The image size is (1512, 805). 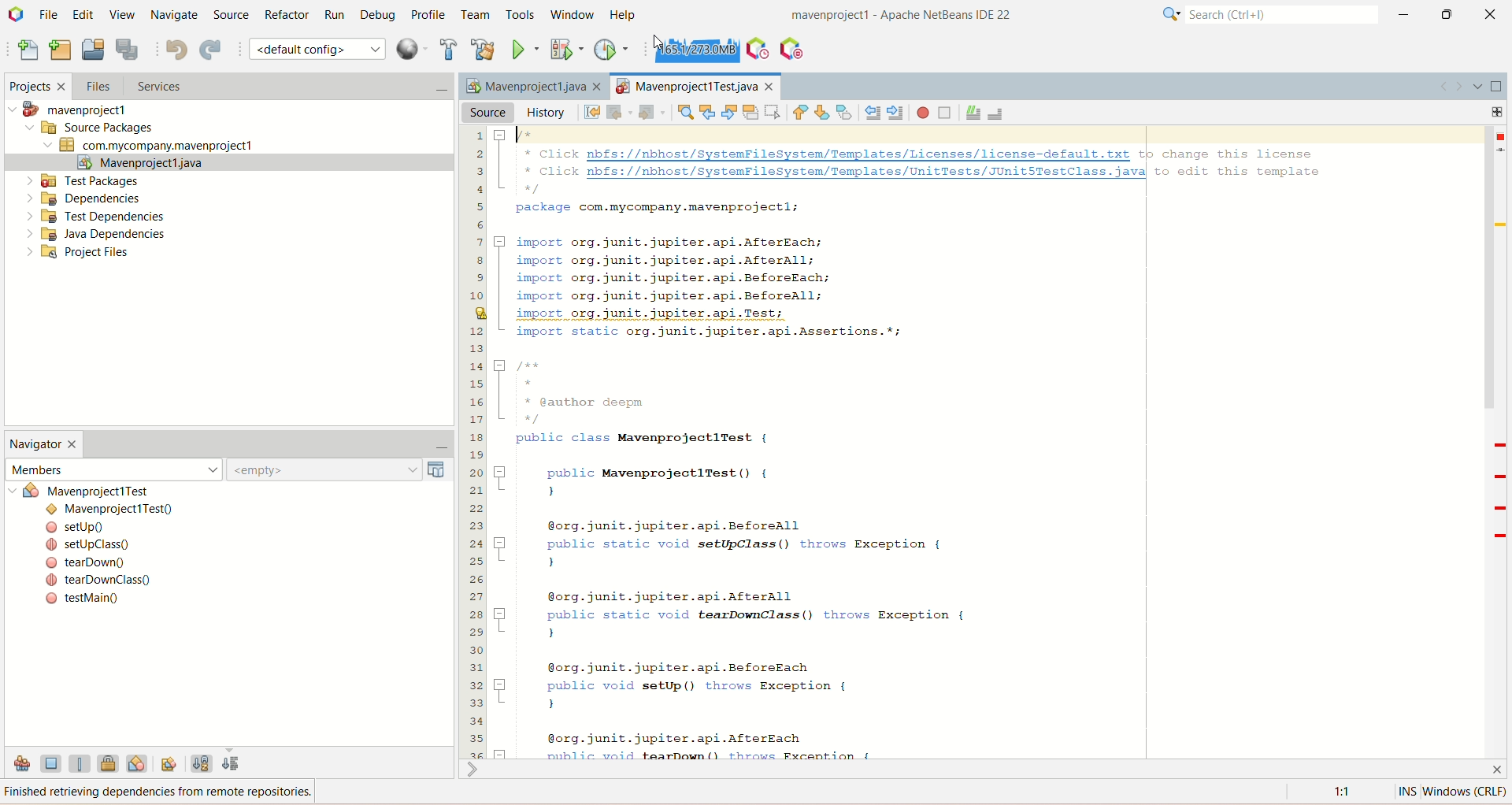 What do you see at coordinates (1503, 441) in the screenshot?
I see `Scrollbar` at bounding box center [1503, 441].